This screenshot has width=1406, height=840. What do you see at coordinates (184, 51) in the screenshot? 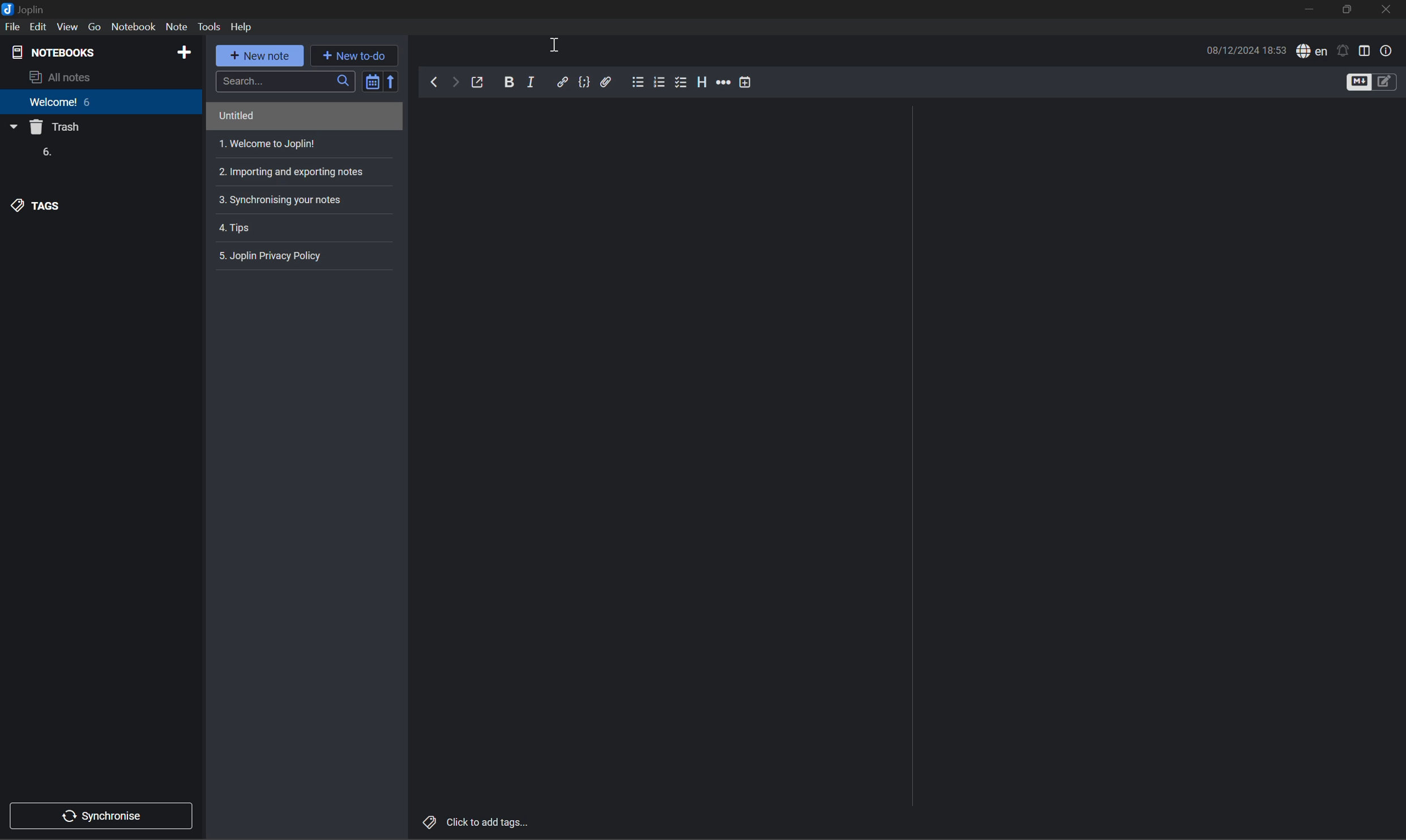
I see `Add notebook` at bounding box center [184, 51].